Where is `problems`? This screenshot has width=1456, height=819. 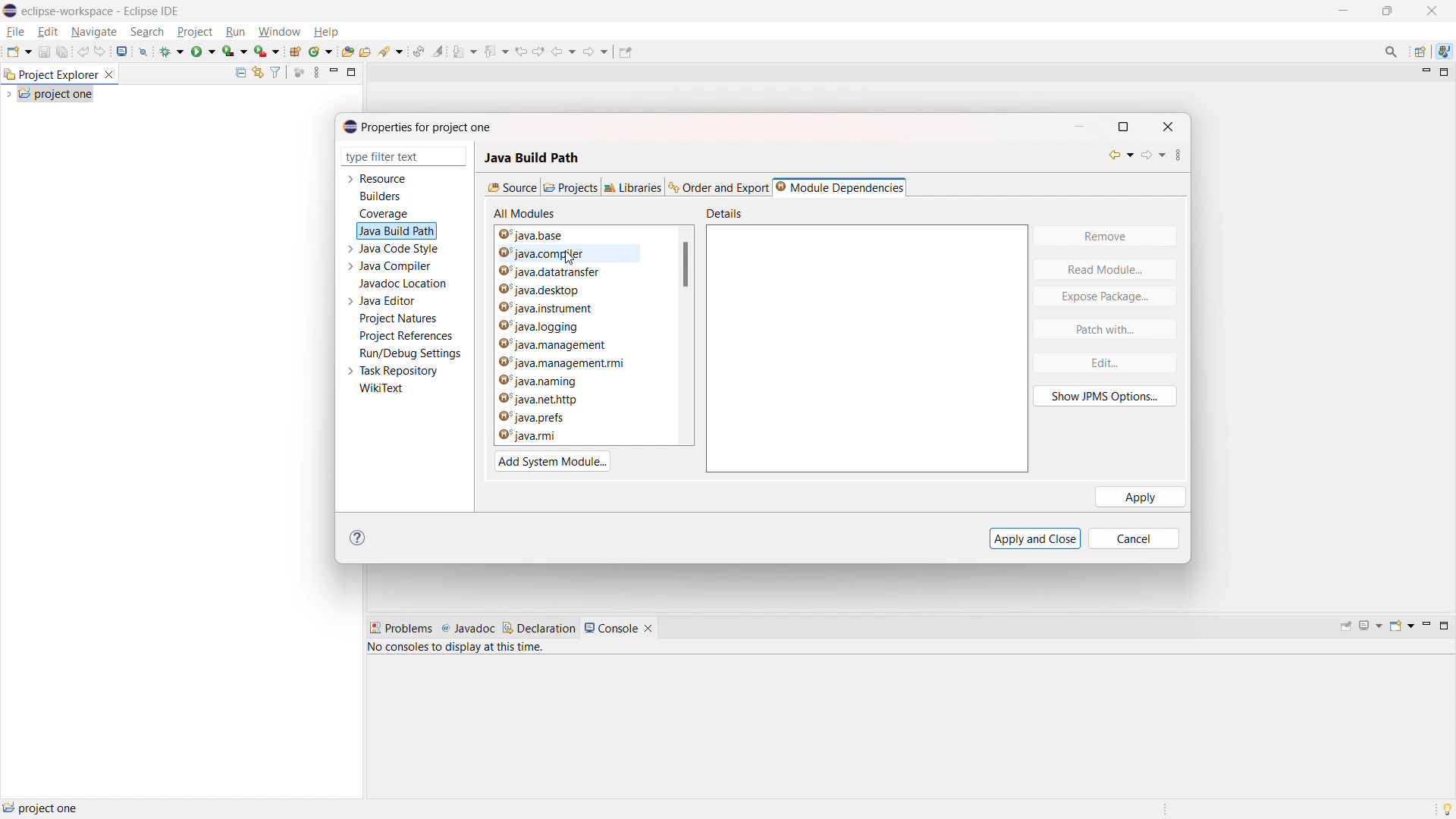 problems is located at coordinates (400, 629).